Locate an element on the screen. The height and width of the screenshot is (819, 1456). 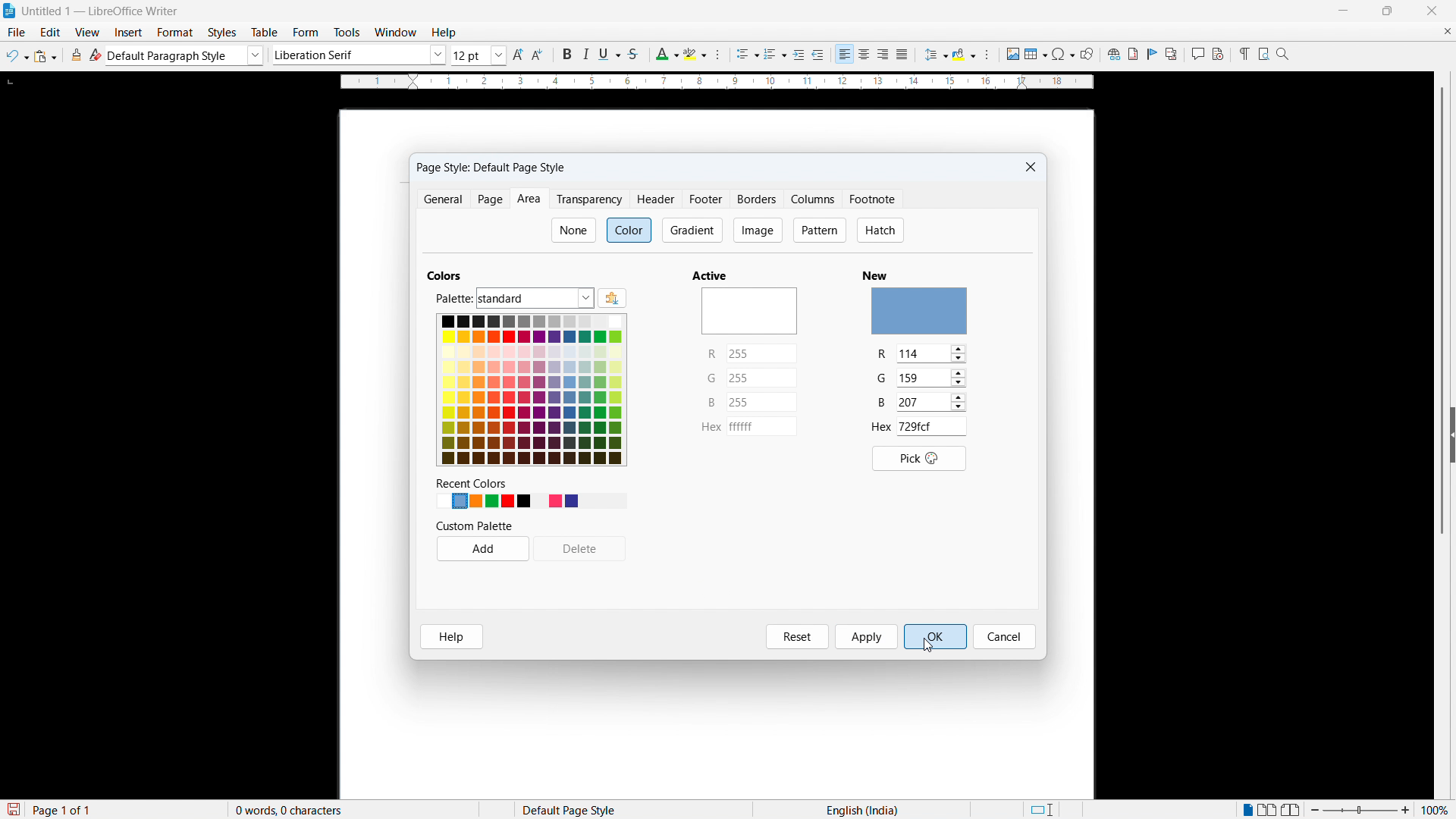
Add link  is located at coordinates (1112, 53).